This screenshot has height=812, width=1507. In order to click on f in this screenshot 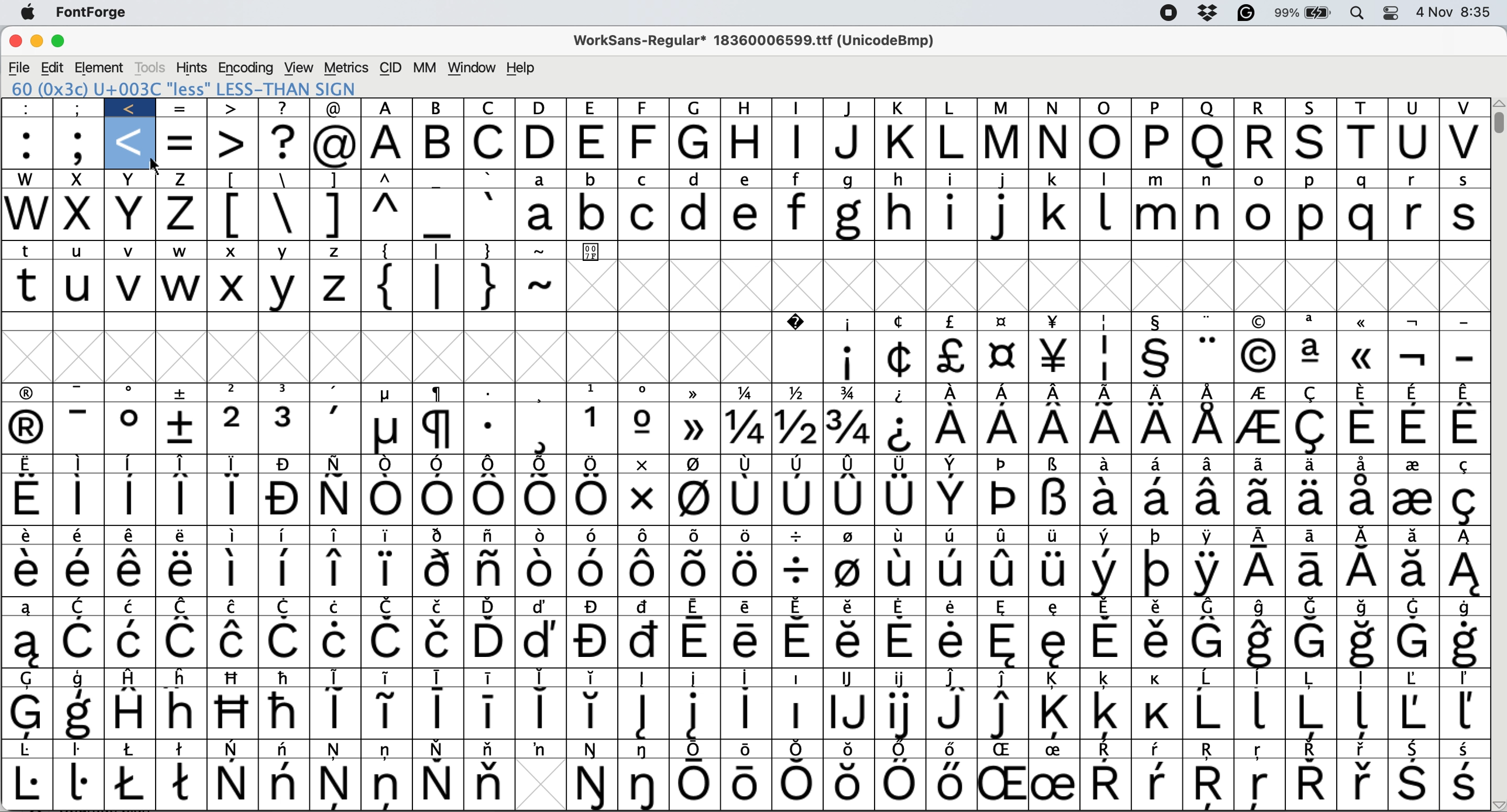, I will do `click(645, 109)`.